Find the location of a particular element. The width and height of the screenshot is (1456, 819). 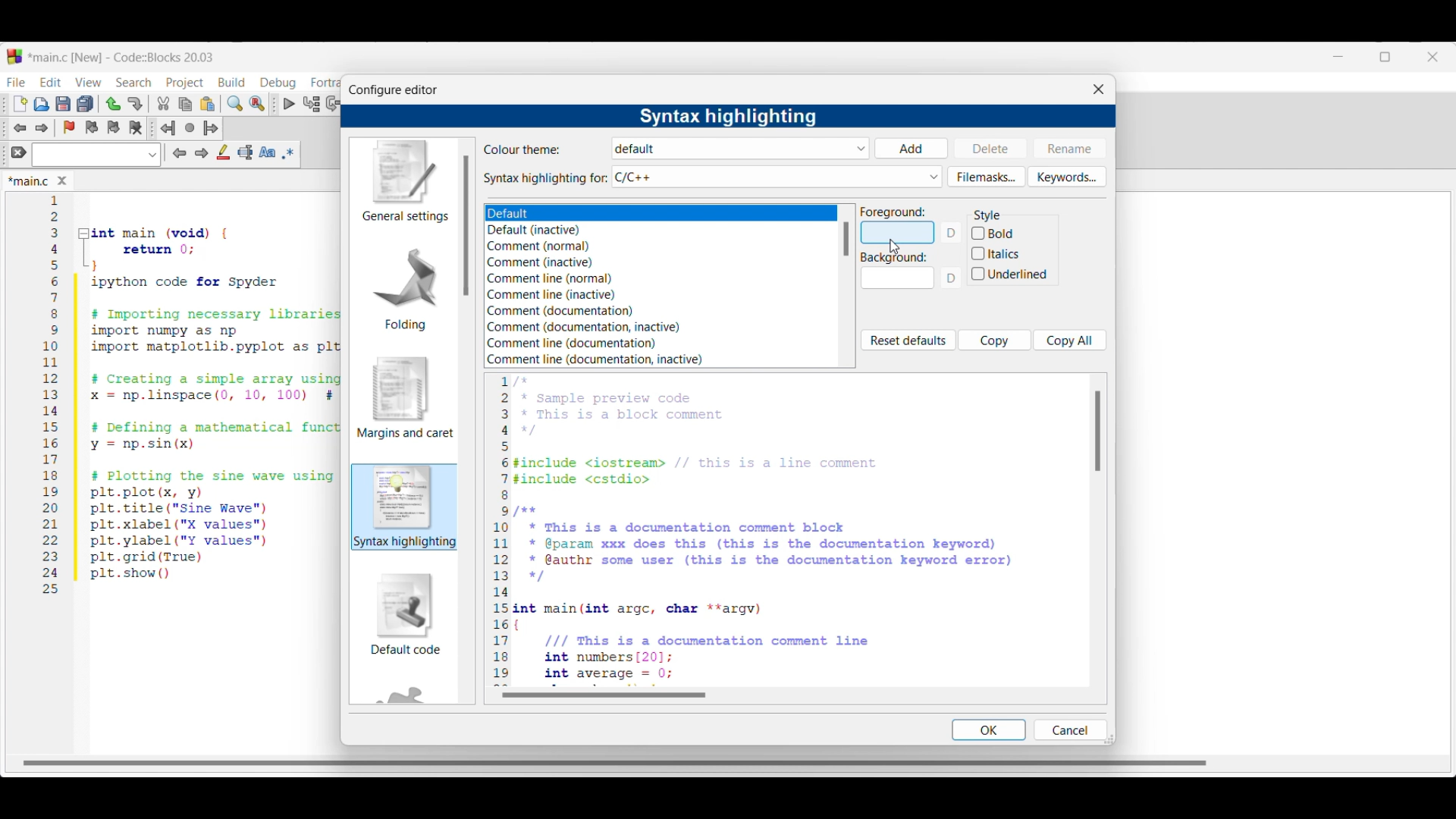

Project menu is located at coordinates (185, 83).